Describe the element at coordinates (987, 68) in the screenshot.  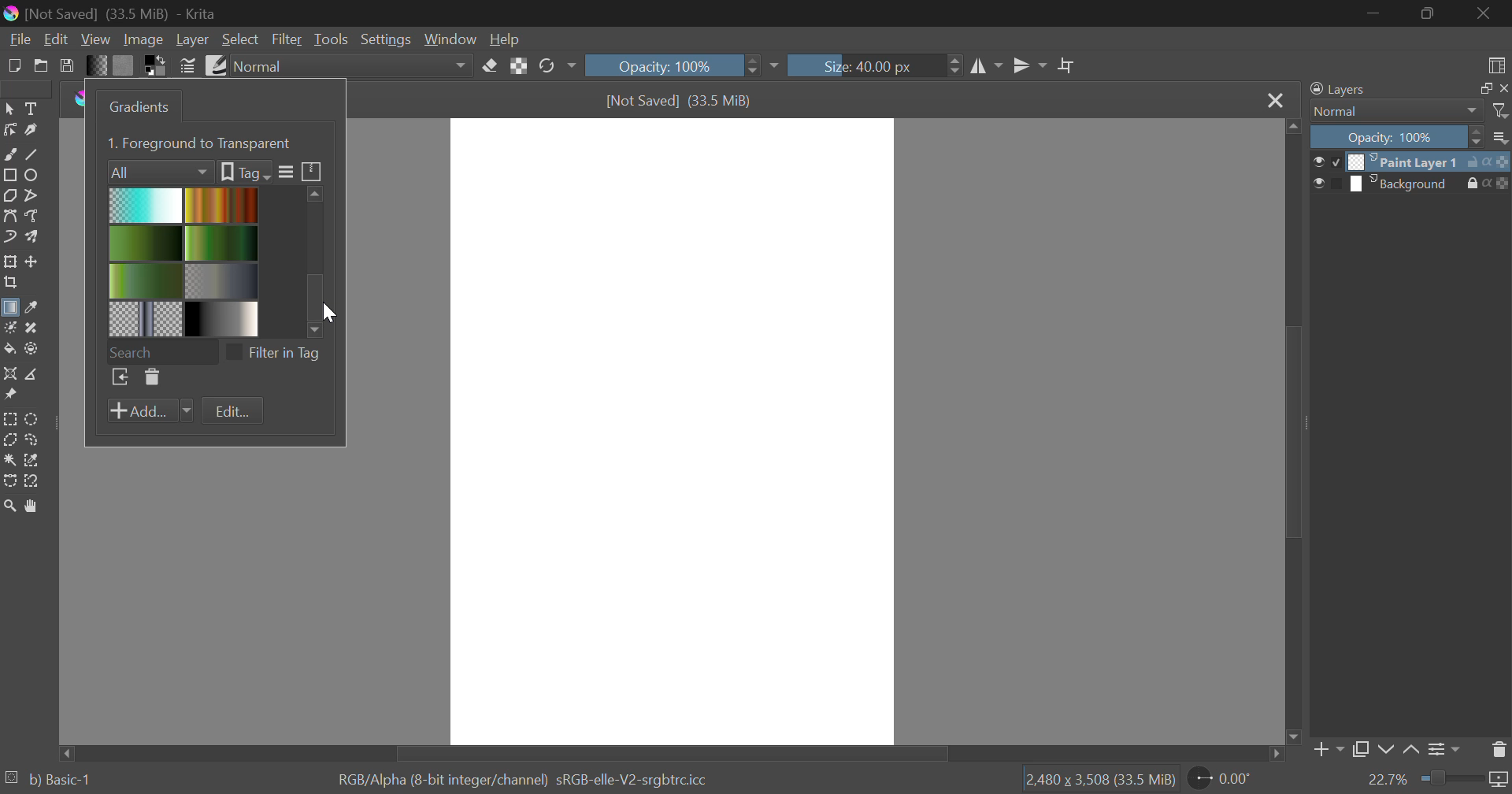
I see `Vertical Mirror Flip` at that location.